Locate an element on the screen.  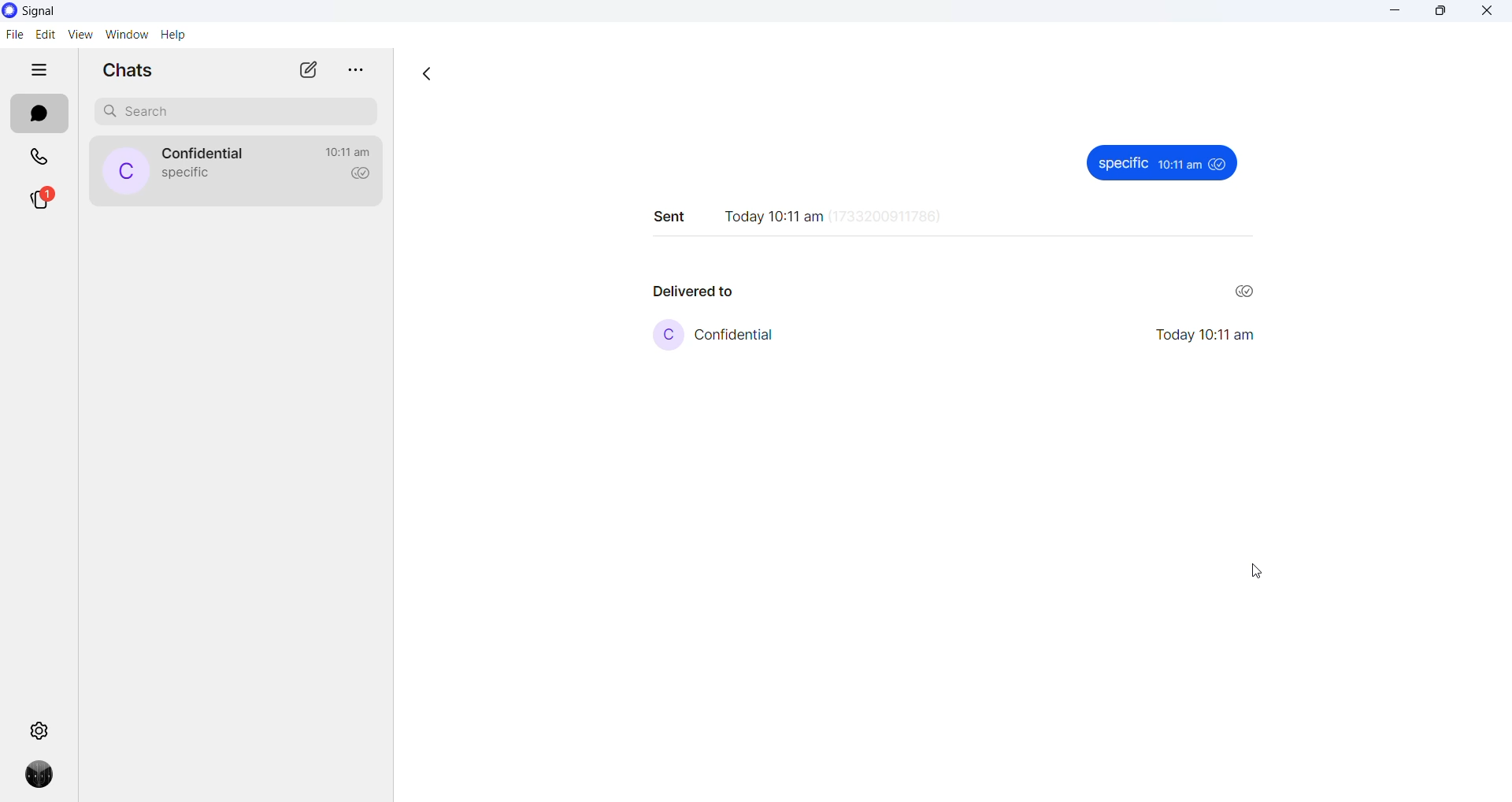
profile picture is located at coordinates (660, 332).